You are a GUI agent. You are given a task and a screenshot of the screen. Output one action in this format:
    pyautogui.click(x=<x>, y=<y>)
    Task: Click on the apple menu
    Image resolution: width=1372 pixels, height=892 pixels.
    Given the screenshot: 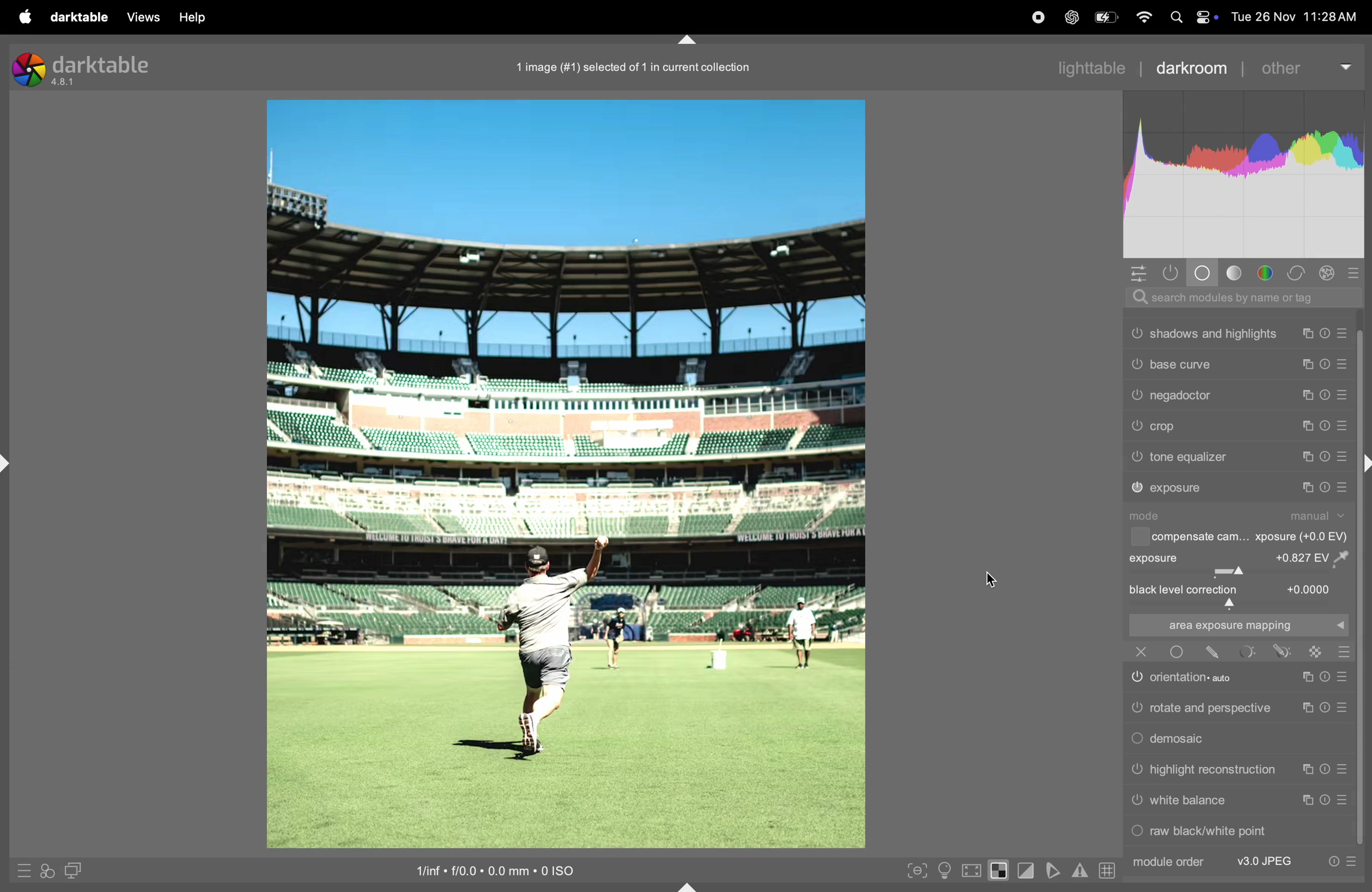 What is the action you would take?
    pyautogui.click(x=22, y=17)
    